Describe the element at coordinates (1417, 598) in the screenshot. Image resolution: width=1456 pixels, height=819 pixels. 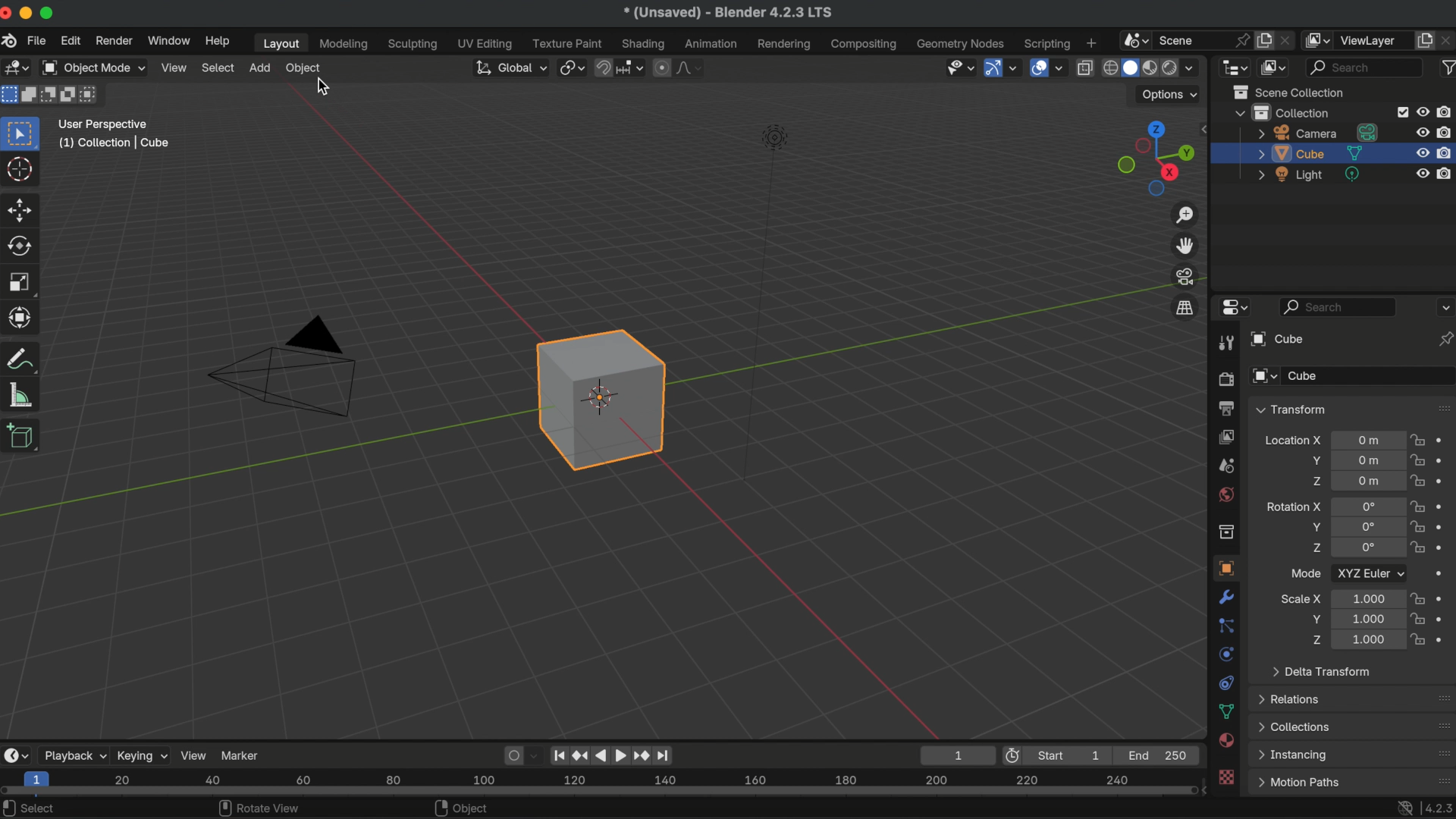
I see `lock scale` at that location.